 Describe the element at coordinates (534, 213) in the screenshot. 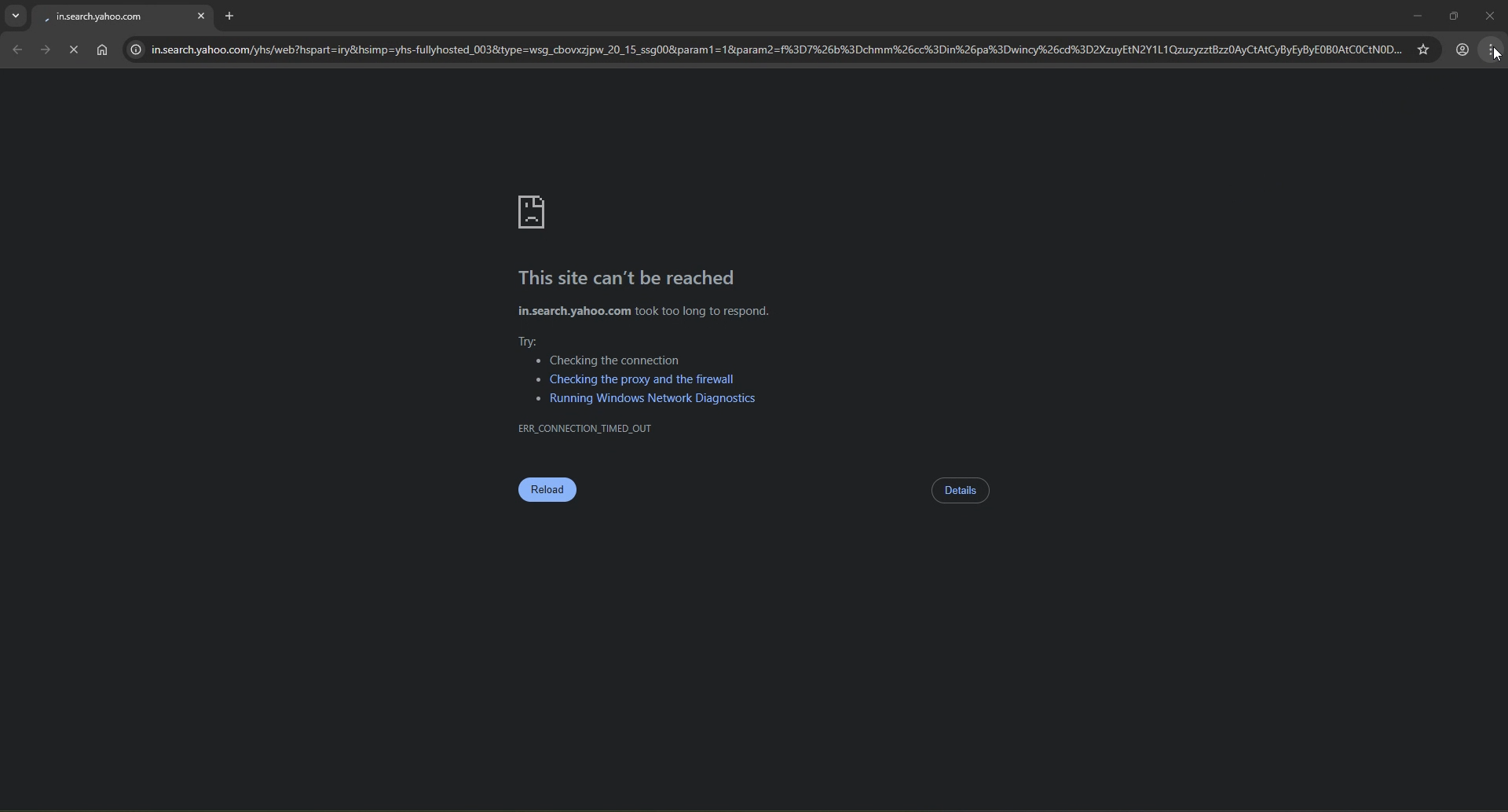

I see `logo` at that location.